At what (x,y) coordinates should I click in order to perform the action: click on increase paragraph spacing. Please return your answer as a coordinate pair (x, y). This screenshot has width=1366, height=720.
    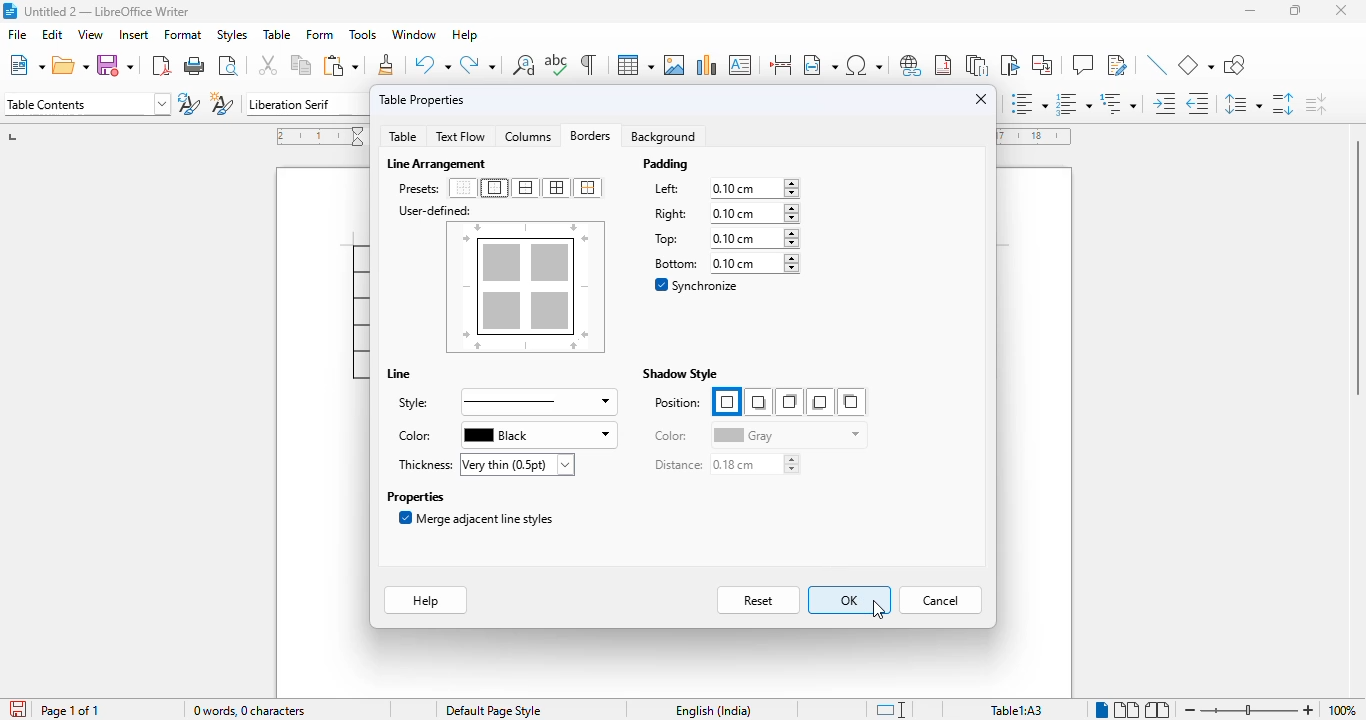
    Looking at the image, I should click on (1282, 104).